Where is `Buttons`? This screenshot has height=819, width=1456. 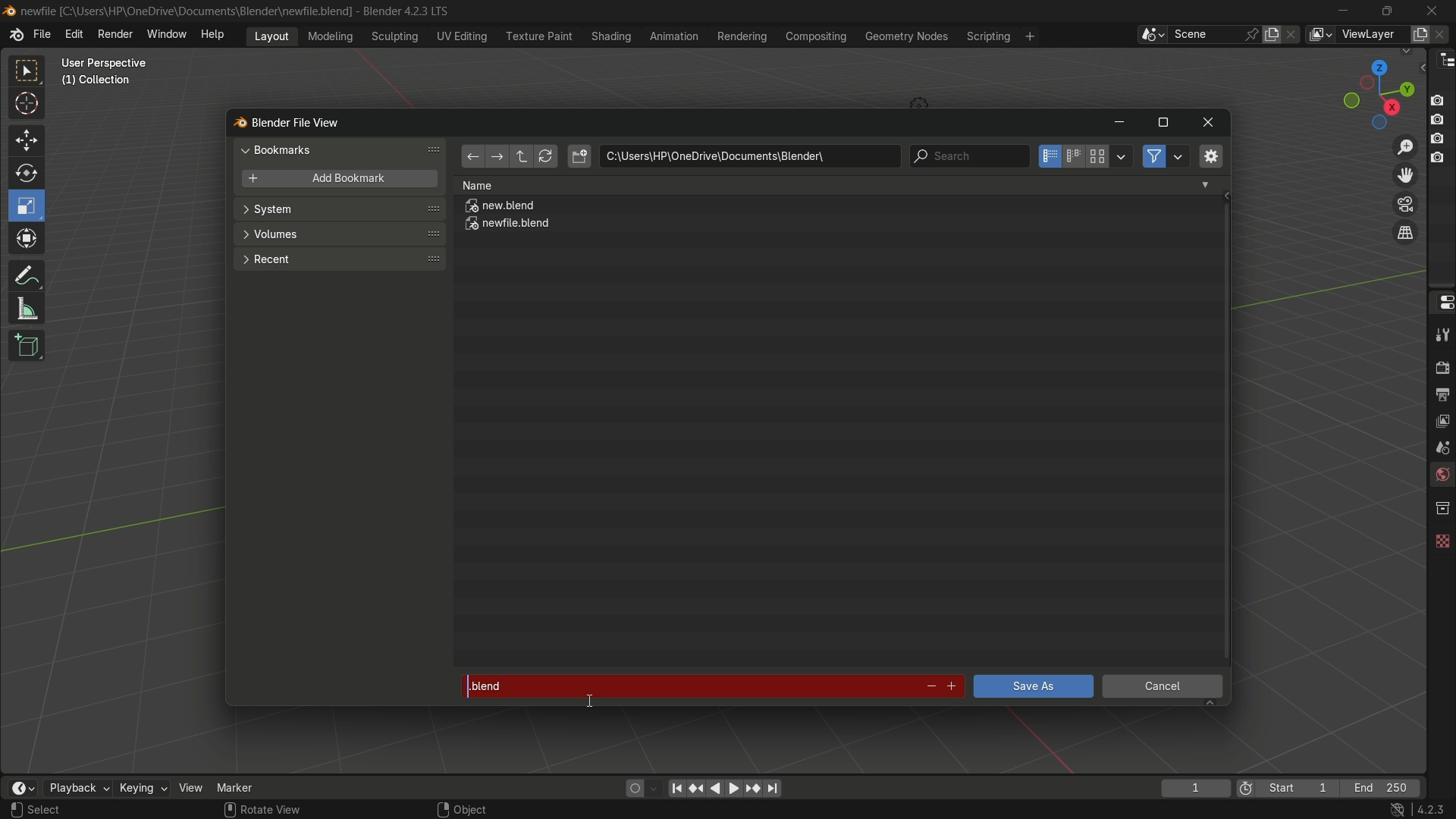
Buttons is located at coordinates (1443, 127).